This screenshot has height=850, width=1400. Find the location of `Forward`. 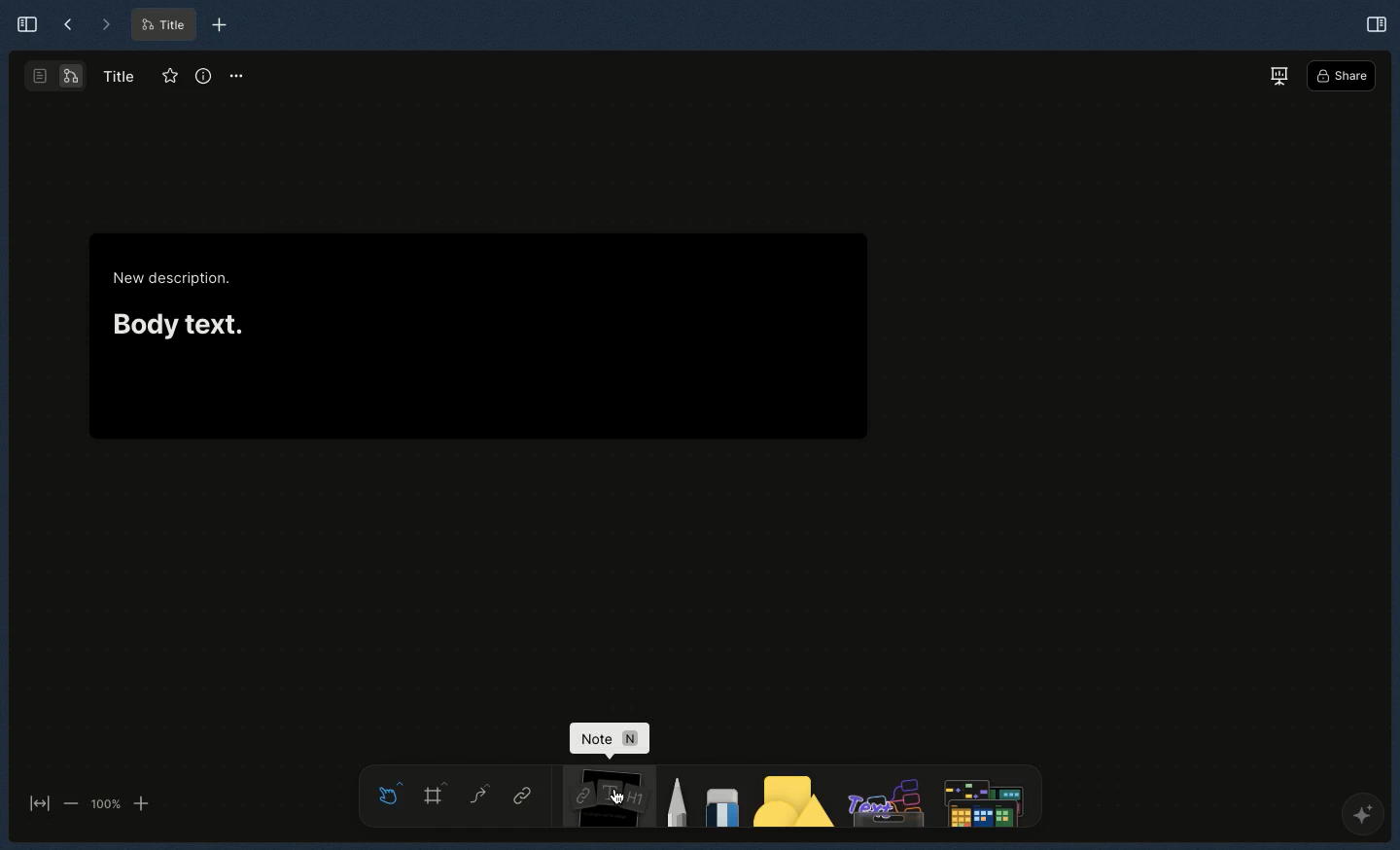

Forward is located at coordinates (105, 25).